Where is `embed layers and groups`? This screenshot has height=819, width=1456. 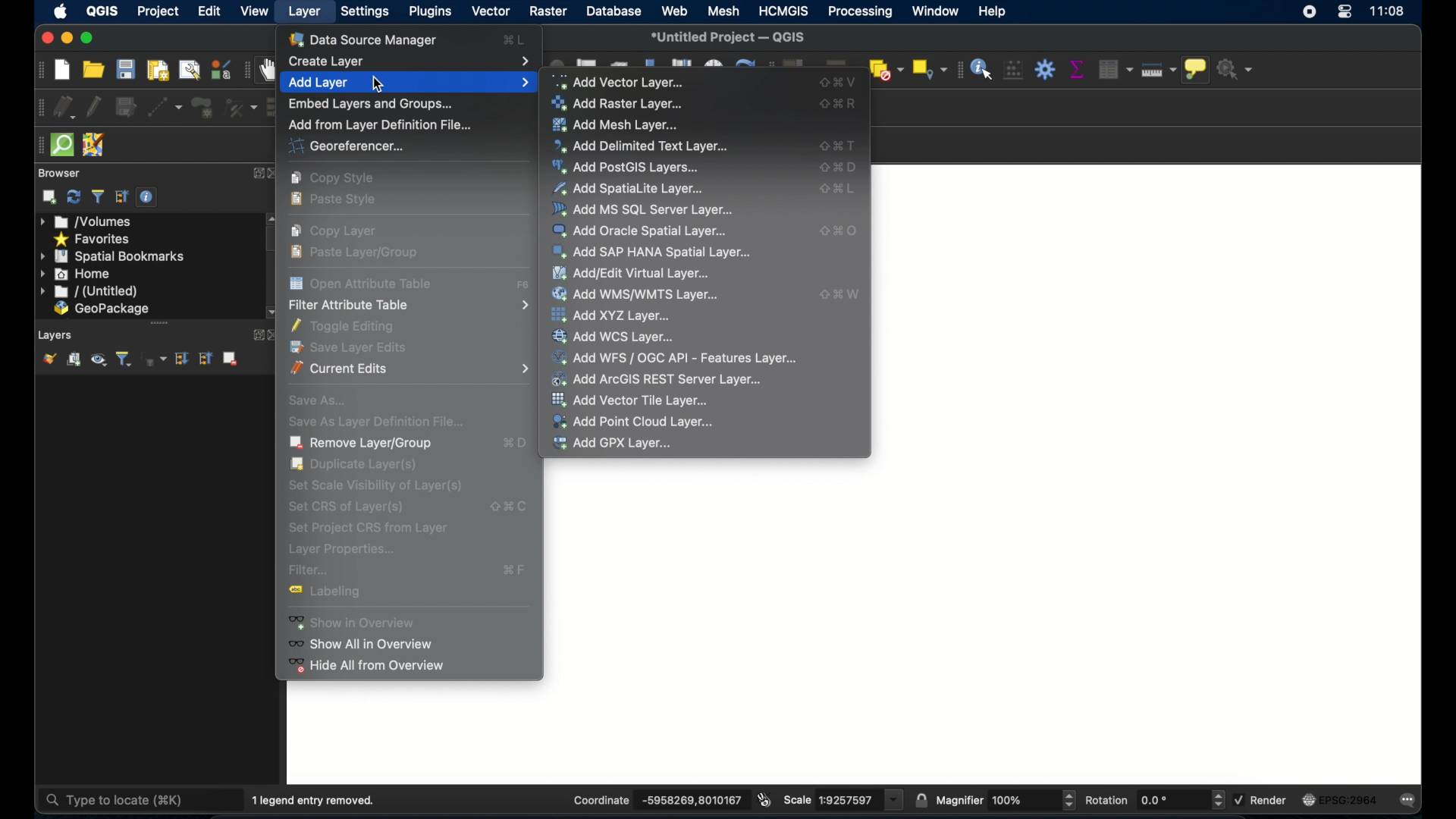 embed layers and groups is located at coordinates (370, 102).